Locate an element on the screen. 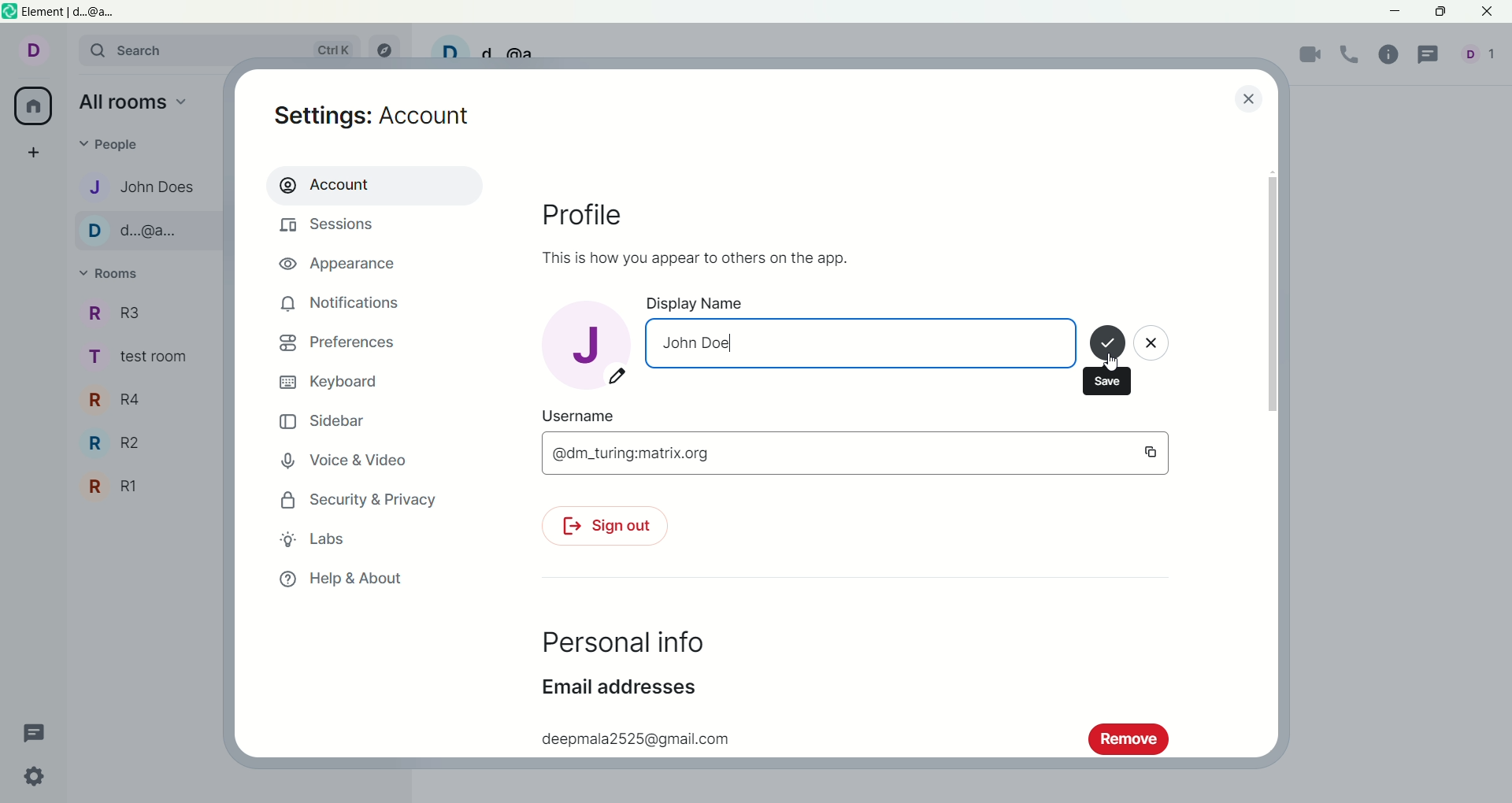 The width and height of the screenshot is (1512, 803). settings: account is located at coordinates (377, 118).